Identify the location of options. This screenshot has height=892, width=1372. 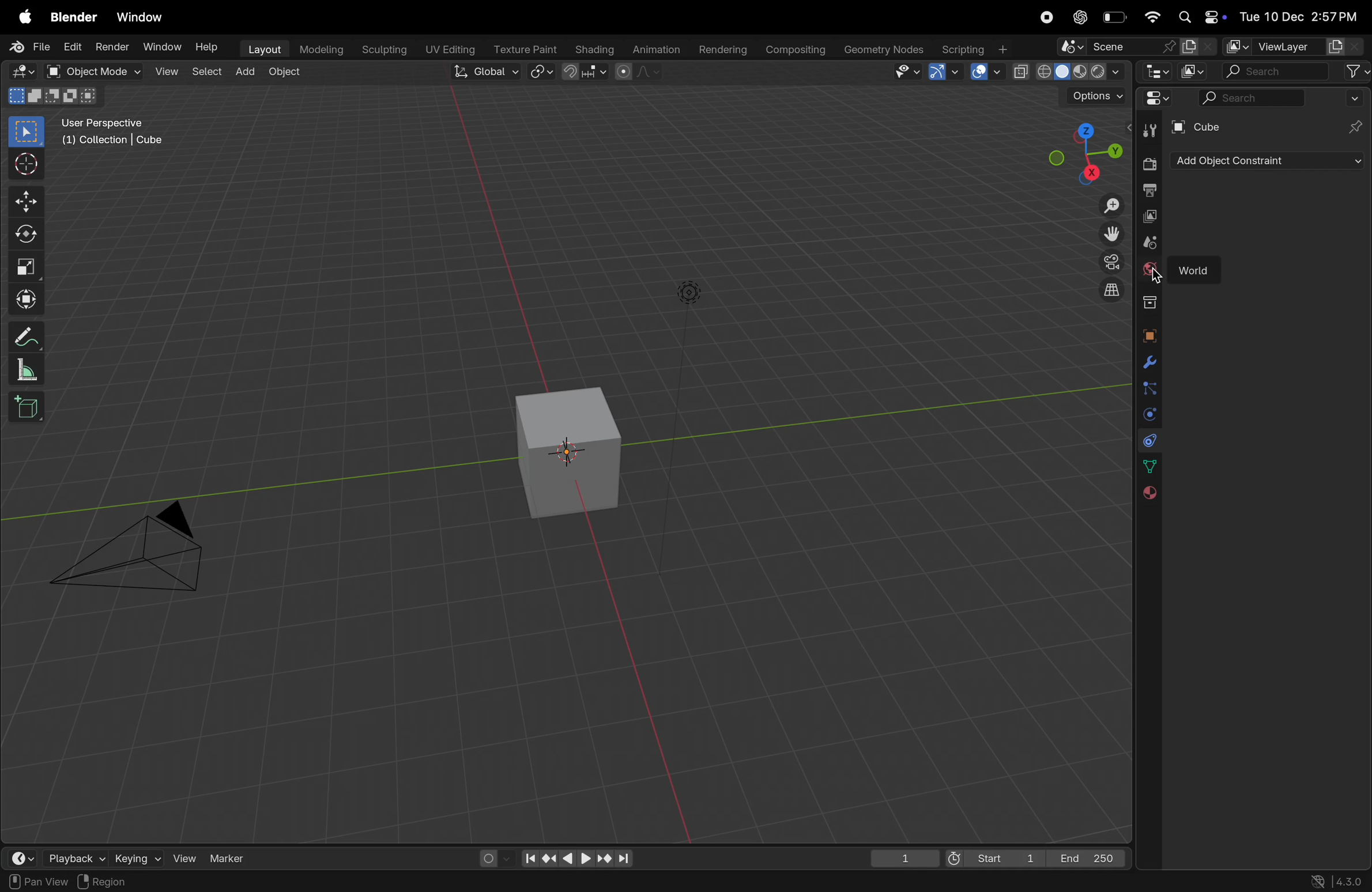
(1096, 96).